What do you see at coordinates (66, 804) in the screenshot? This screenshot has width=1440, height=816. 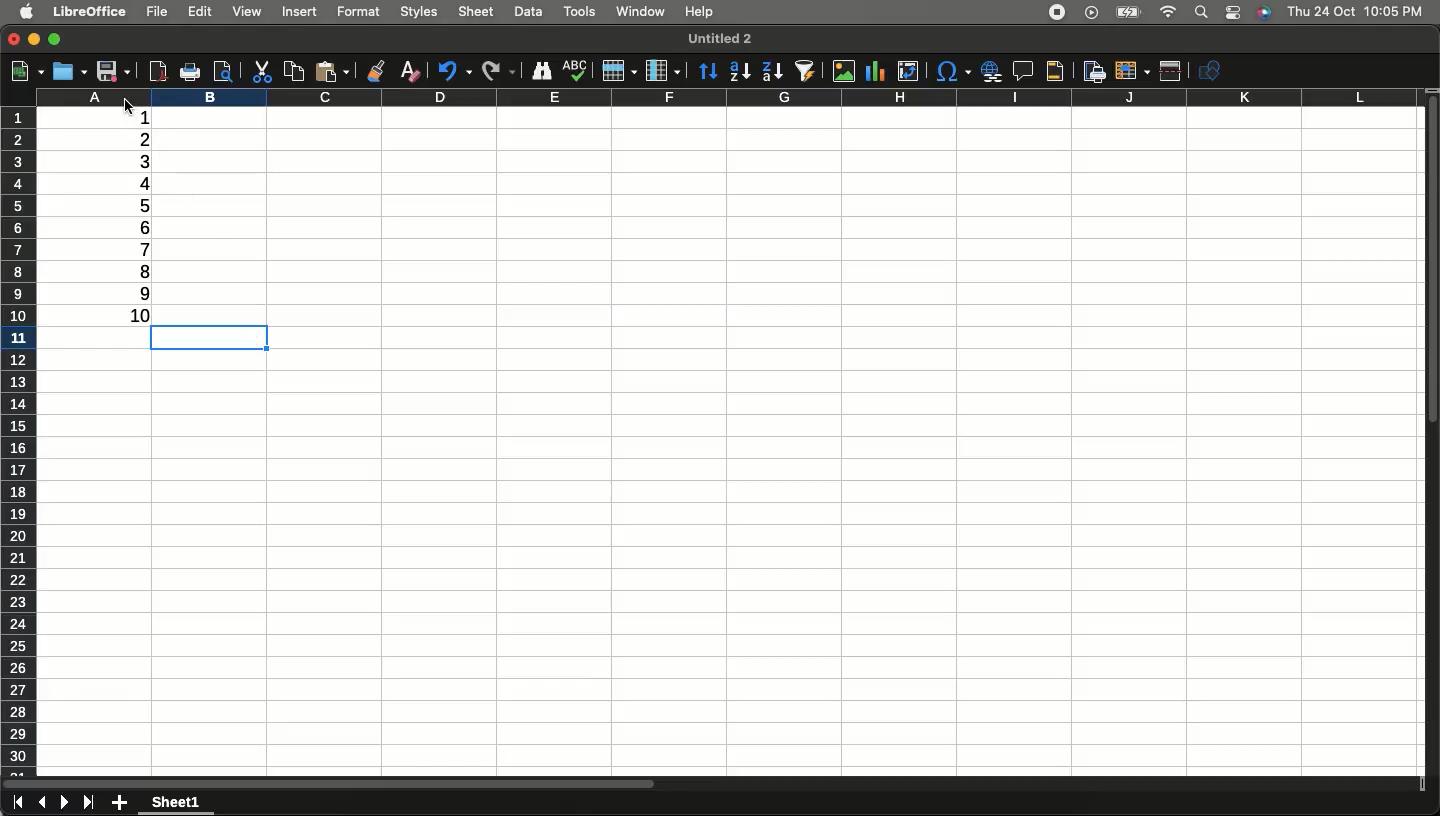 I see `Next sheet` at bounding box center [66, 804].